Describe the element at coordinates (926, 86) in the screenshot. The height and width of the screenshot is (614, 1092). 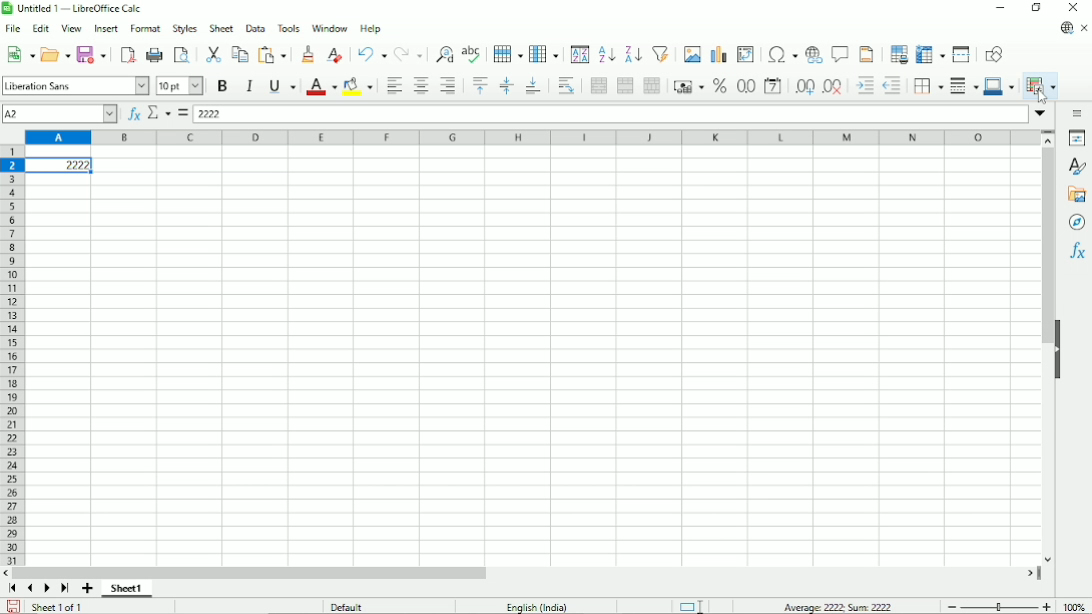
I see `Borders` at that location.